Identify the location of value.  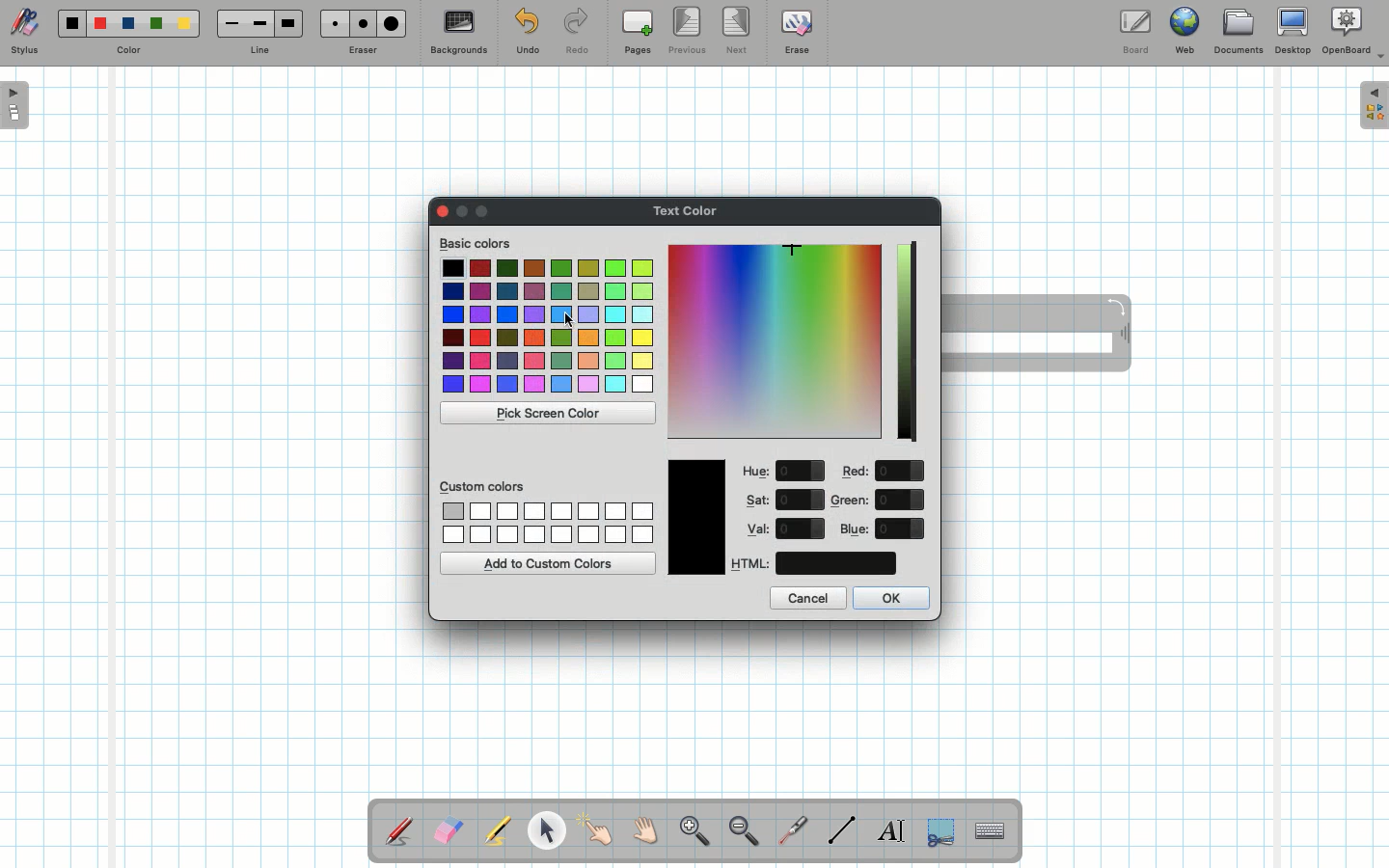
(801, 500).